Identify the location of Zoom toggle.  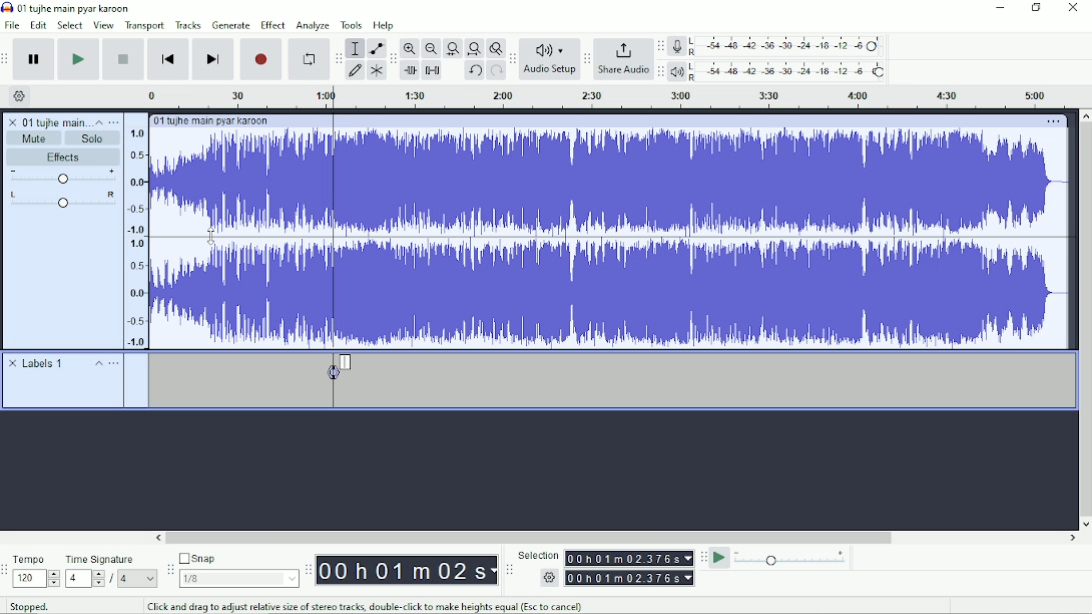
(495, 48).